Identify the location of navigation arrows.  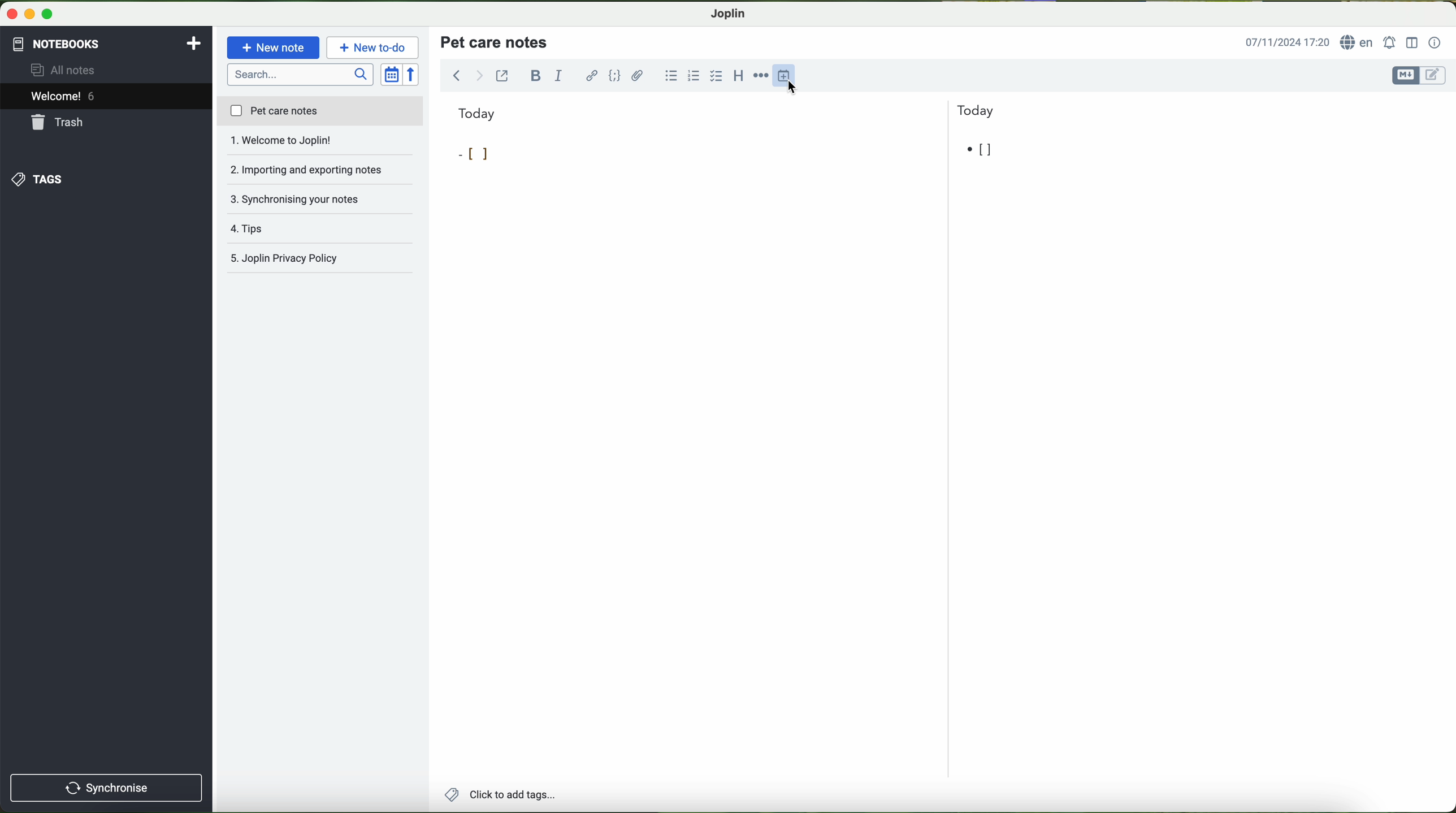
(466, 75).